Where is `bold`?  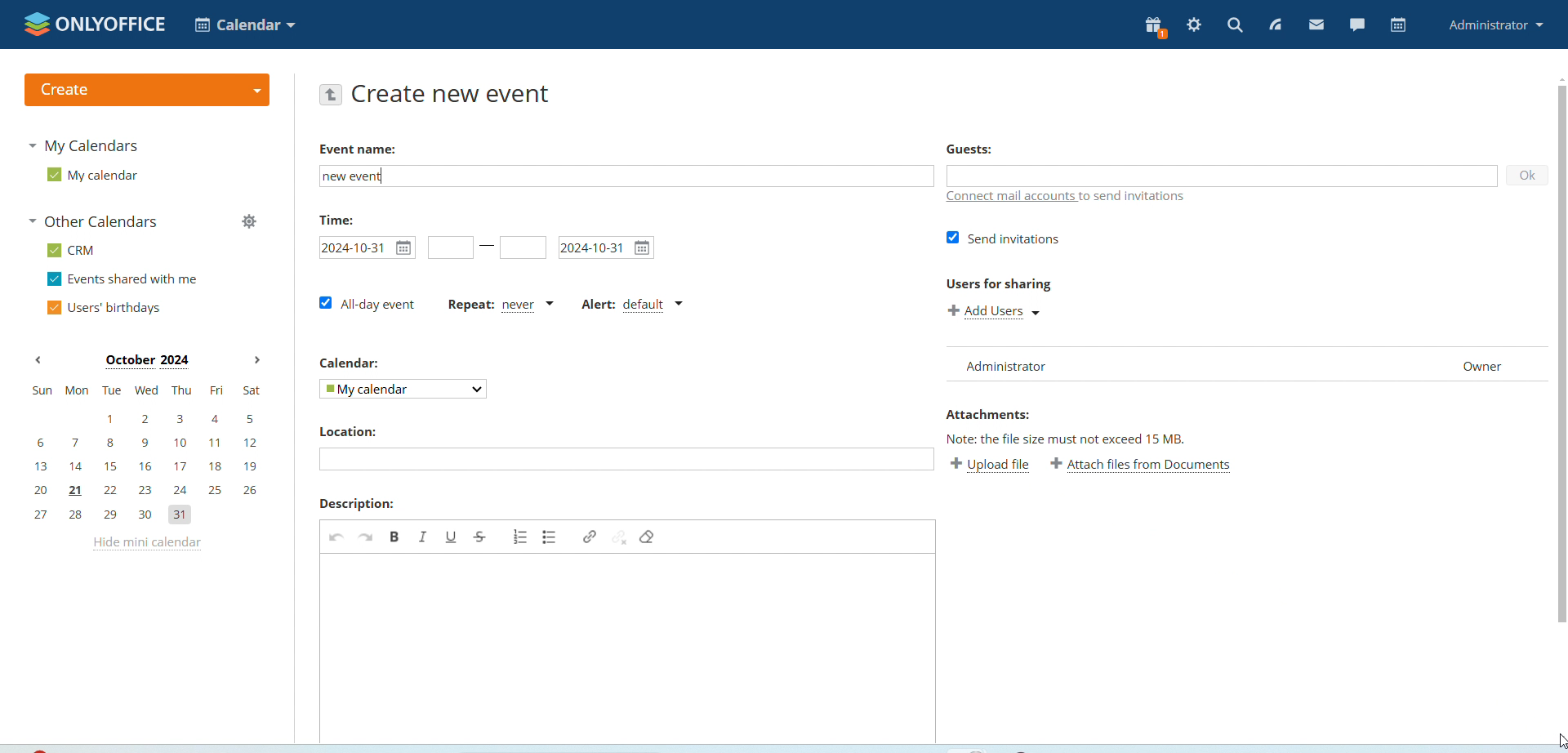
bold is located at coordinates (394, 537).